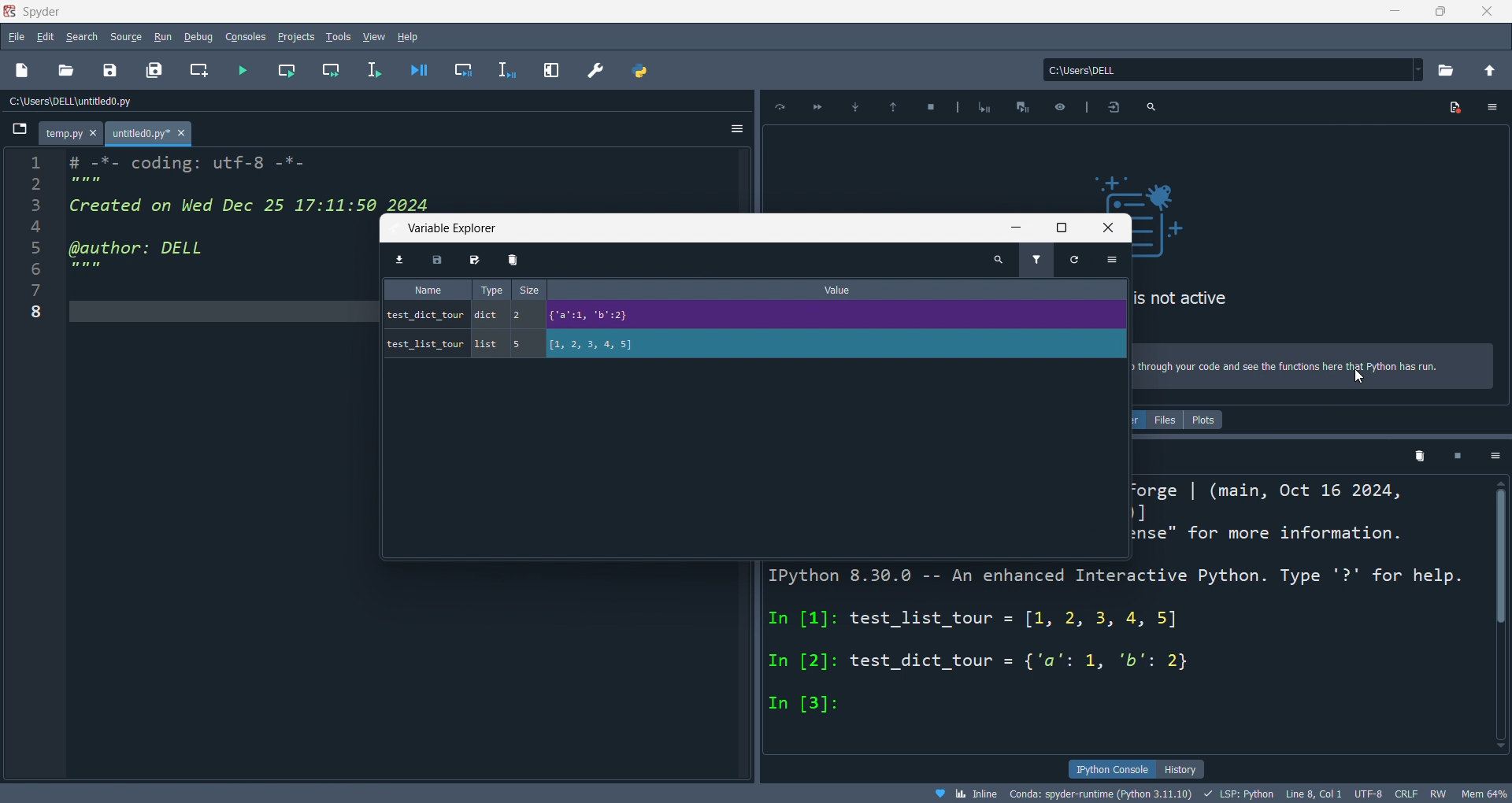 This screenshot has height=803, width=1512. Describe the element at coordinates (854, 109) in the screenshot. I see `icon` at that location.